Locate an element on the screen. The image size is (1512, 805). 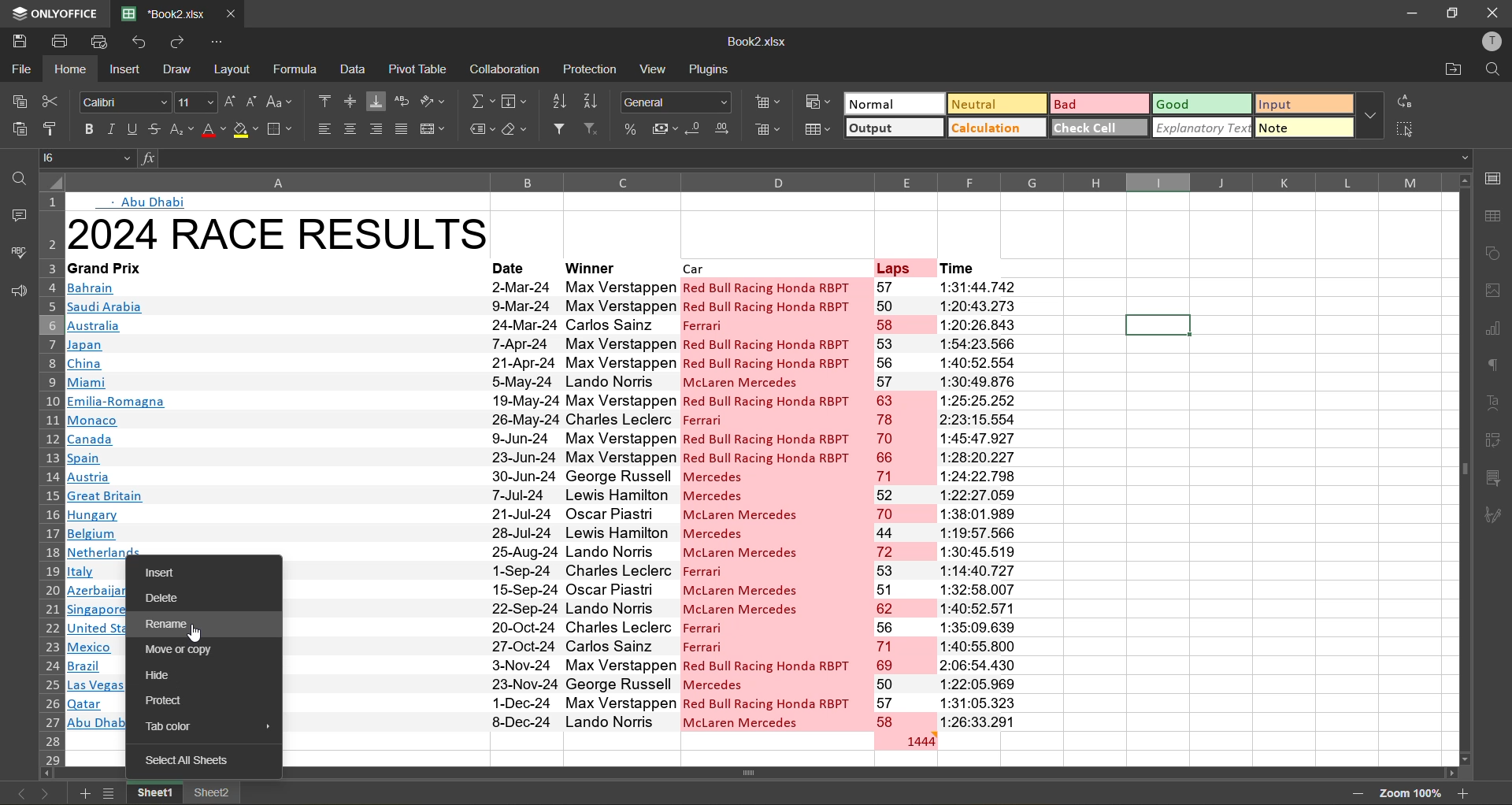
images is located at coordinates (1492, 291).